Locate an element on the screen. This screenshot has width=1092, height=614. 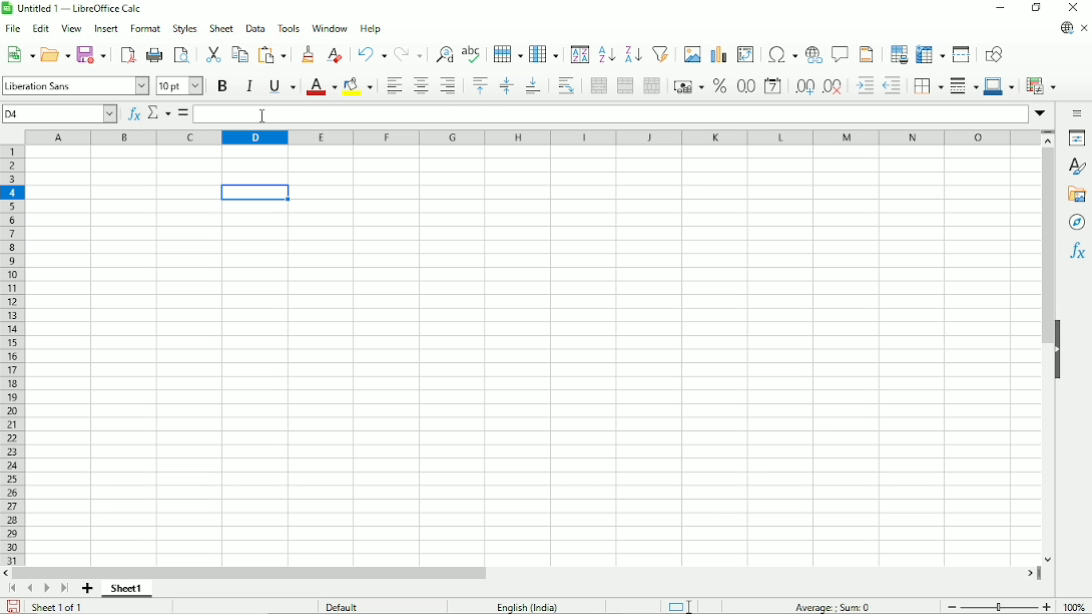
Sheet 1 of 1 is located at coordinates (57, 606).